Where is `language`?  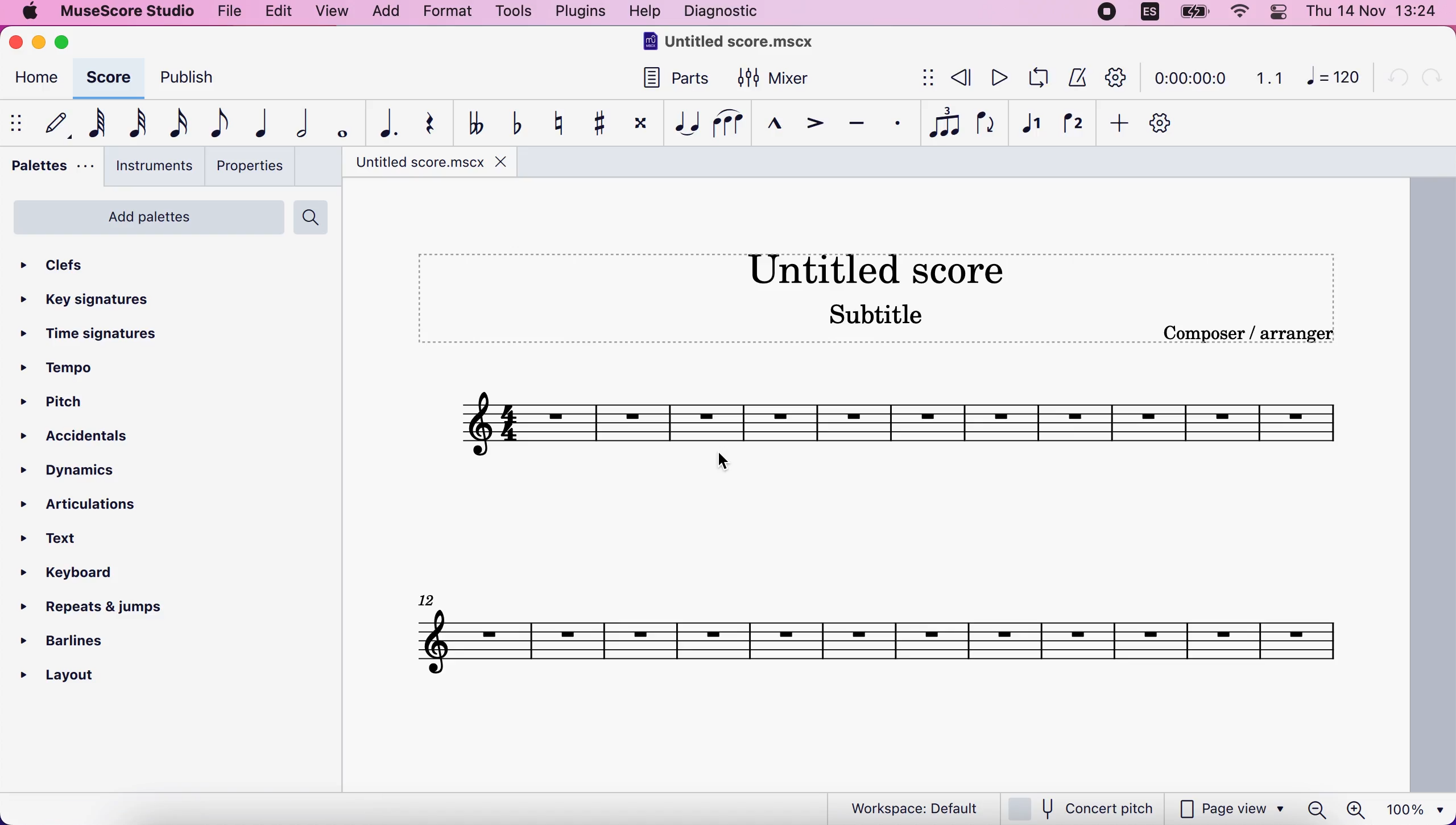 language is located at coordinates (1145, 14).